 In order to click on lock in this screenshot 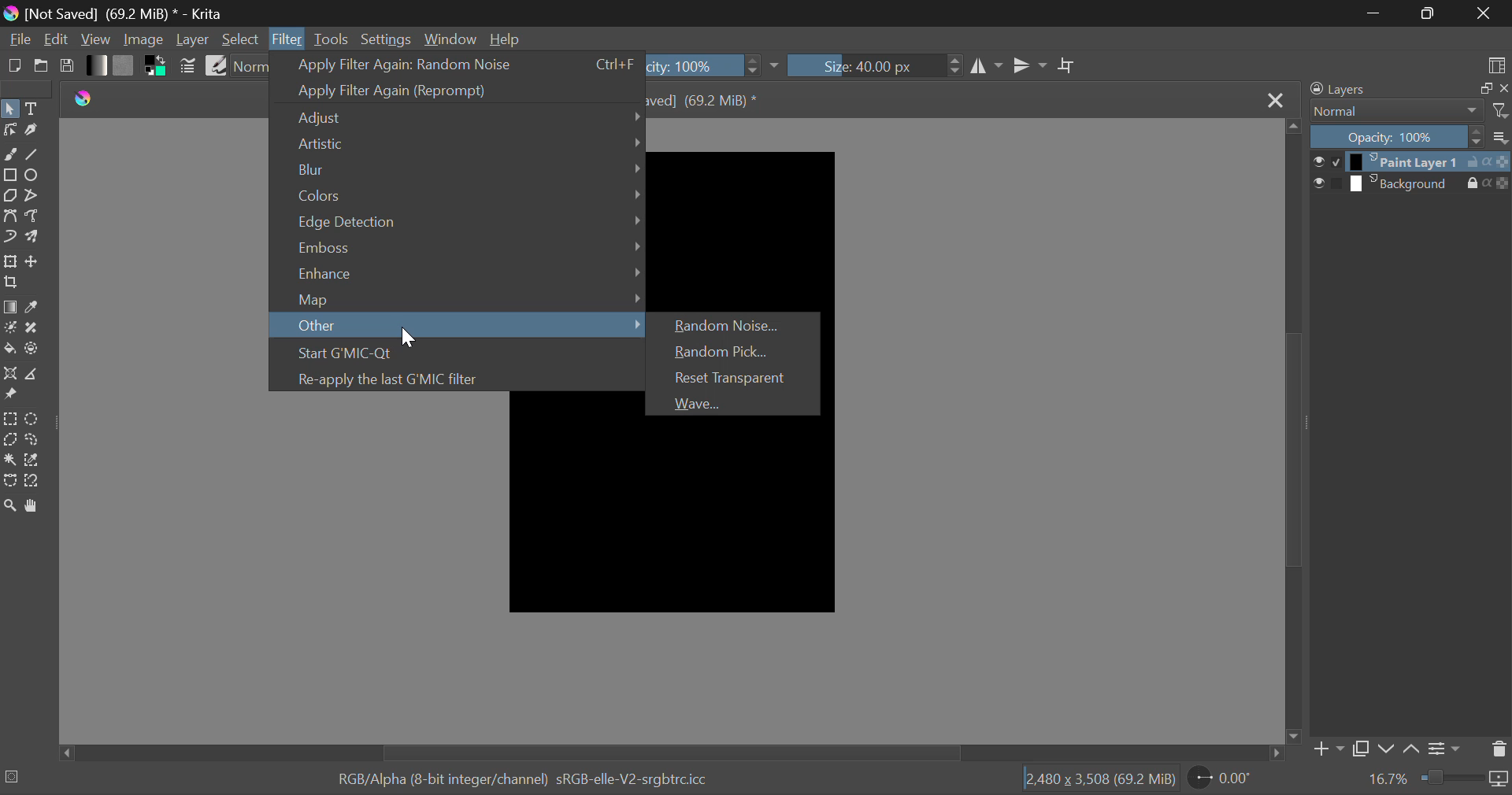, I will do `click(1469, 161)`.